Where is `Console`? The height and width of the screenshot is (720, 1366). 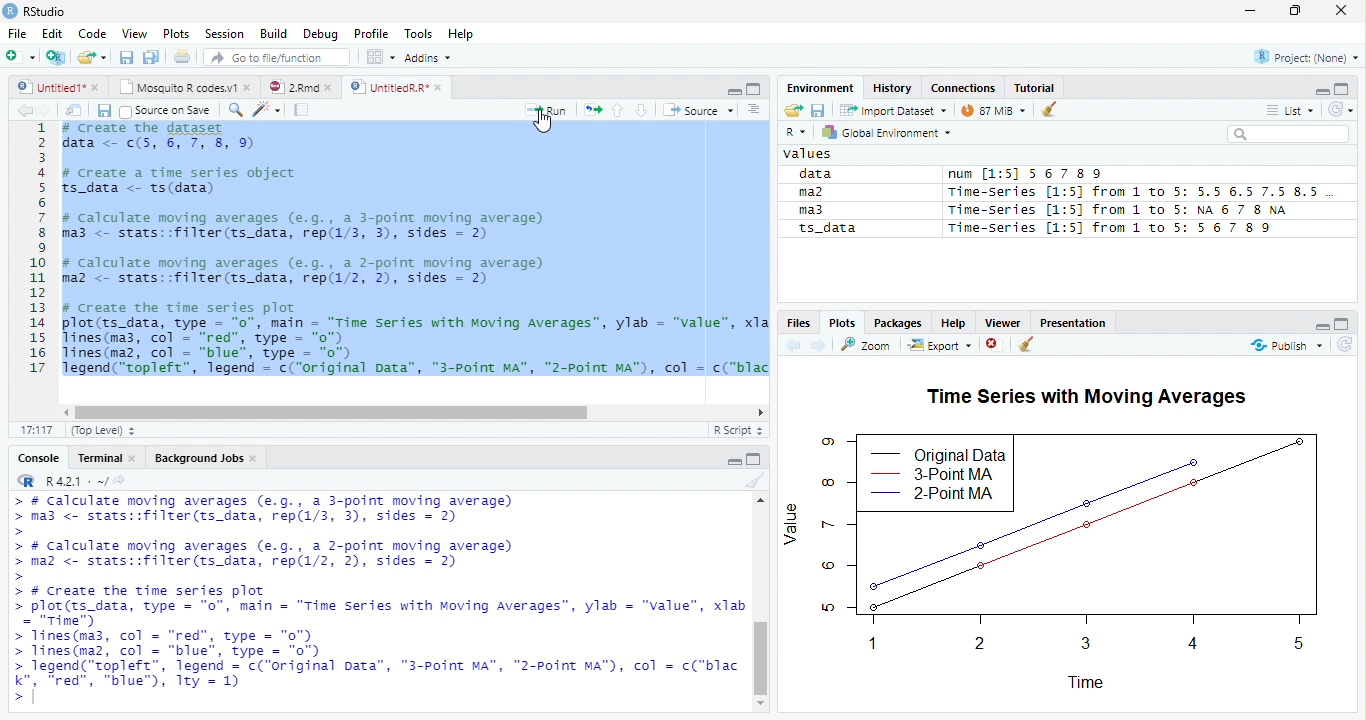
Console is located at coordinates (37, 459).